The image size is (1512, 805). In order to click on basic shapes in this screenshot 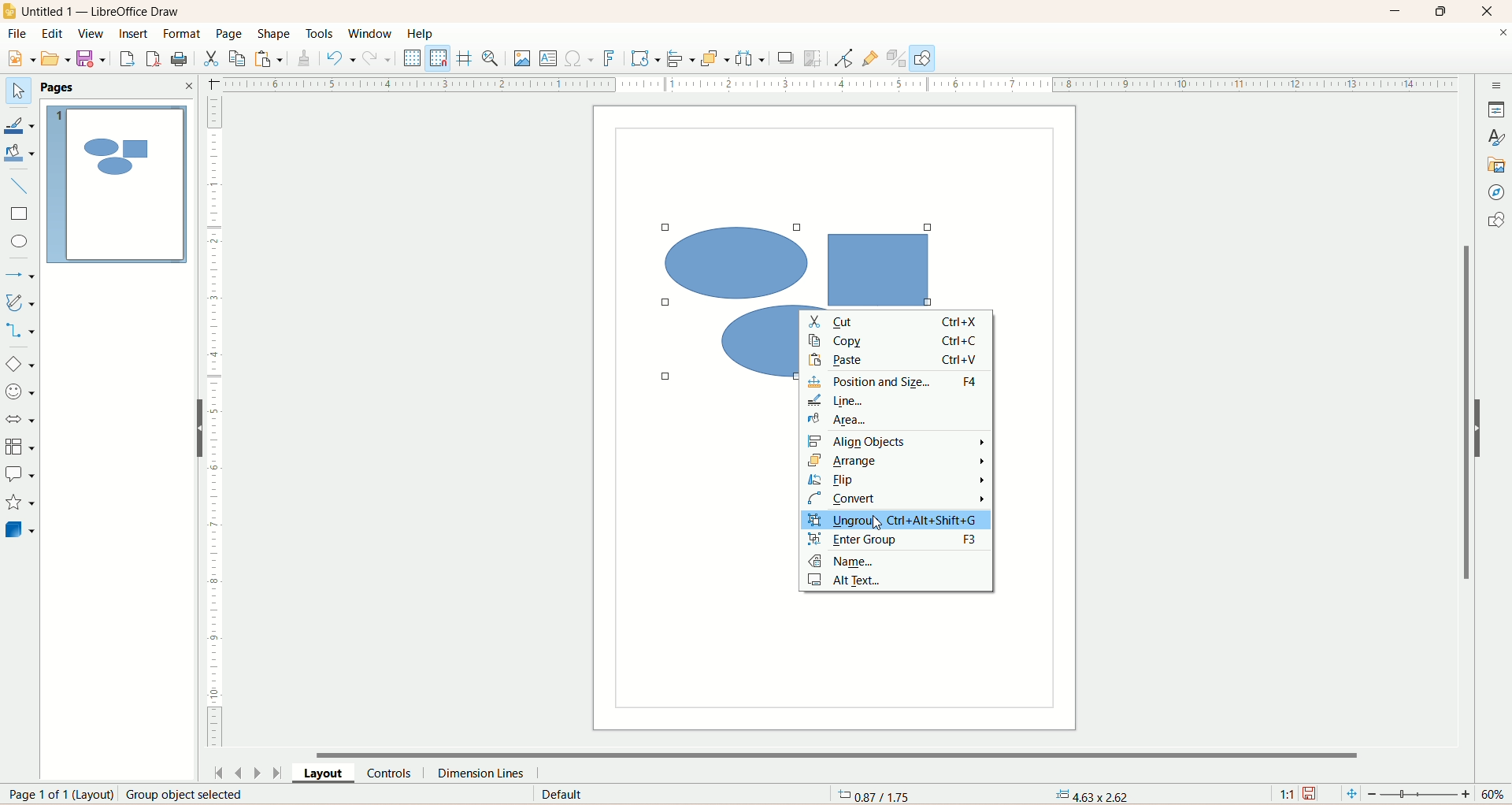, I will do `click(20, 365)`.